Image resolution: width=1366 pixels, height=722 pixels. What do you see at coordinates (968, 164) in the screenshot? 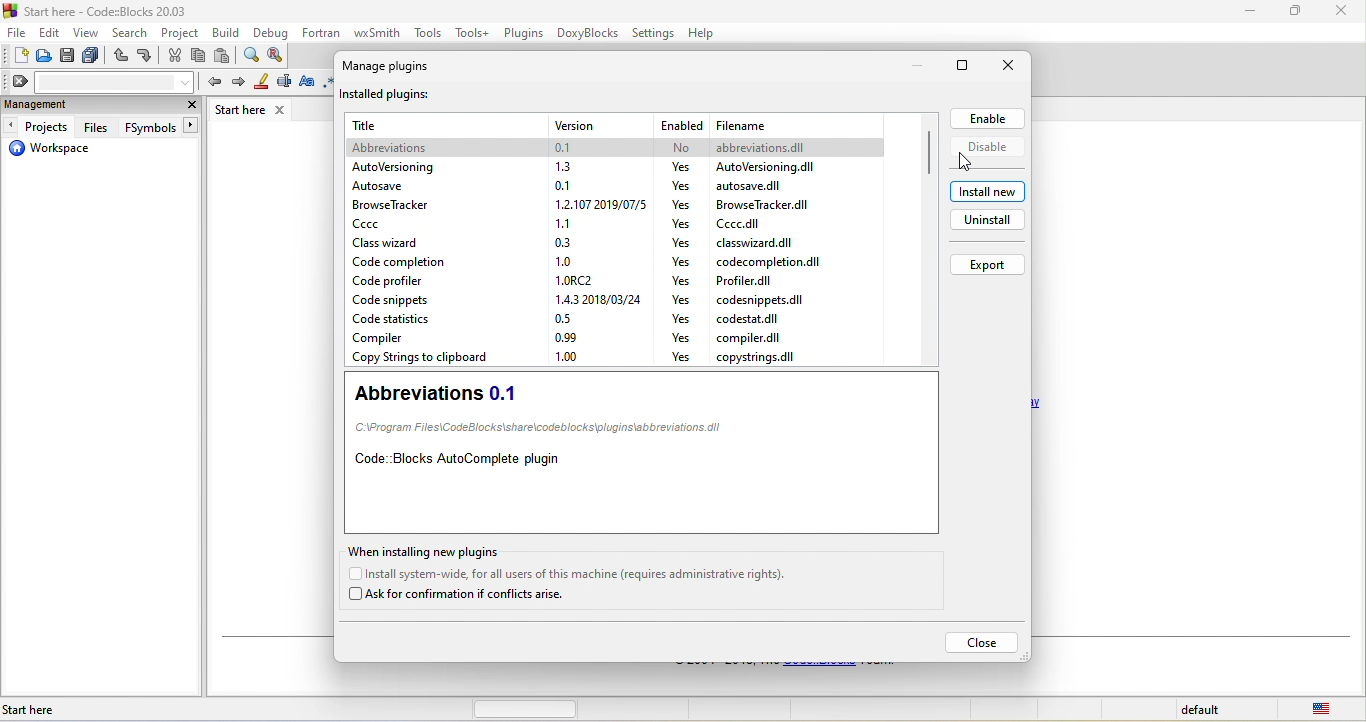
I see `cursor movement` at bounding box center [968, 164].